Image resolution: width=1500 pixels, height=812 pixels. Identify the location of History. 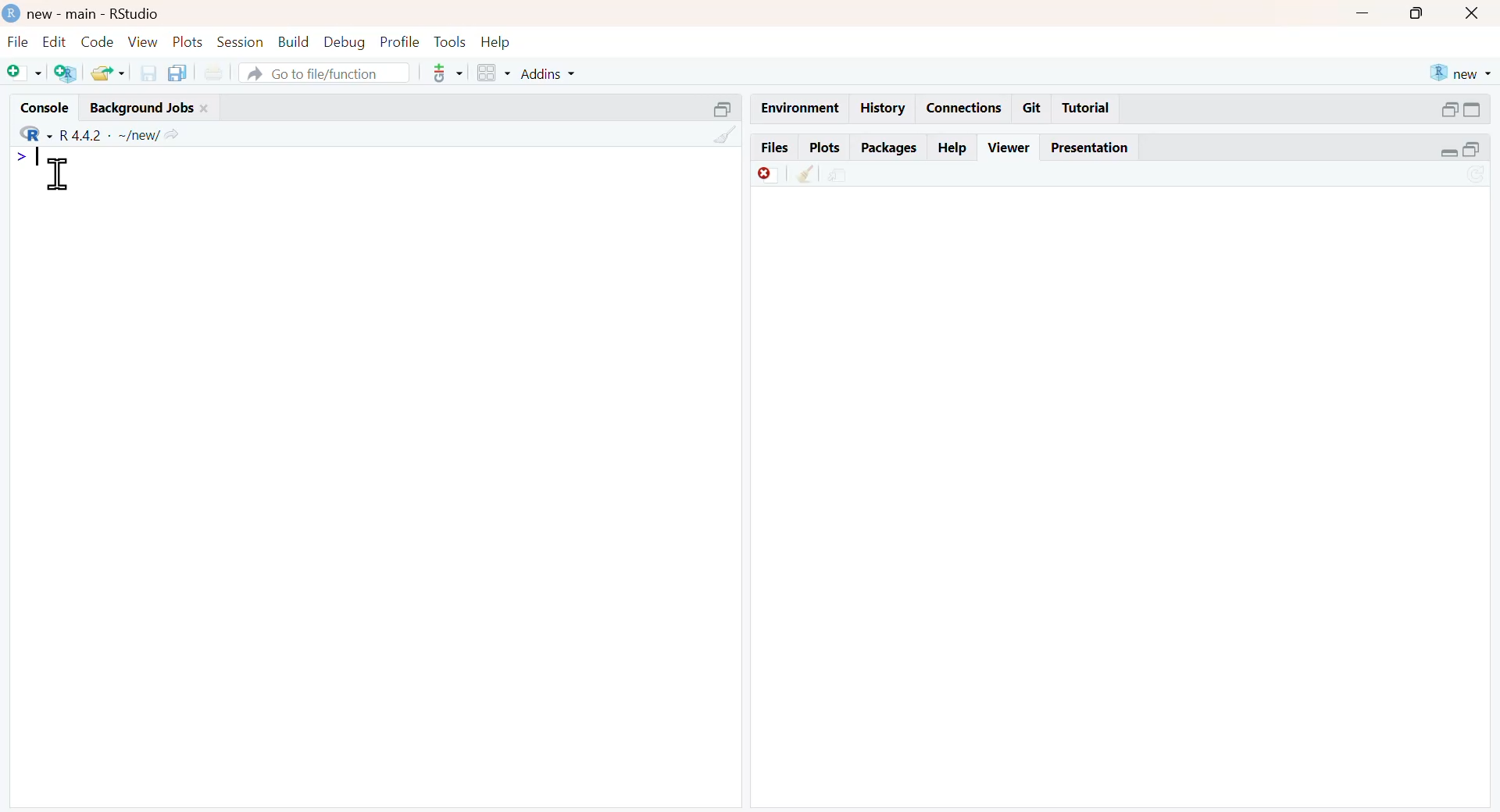
(883, 108).